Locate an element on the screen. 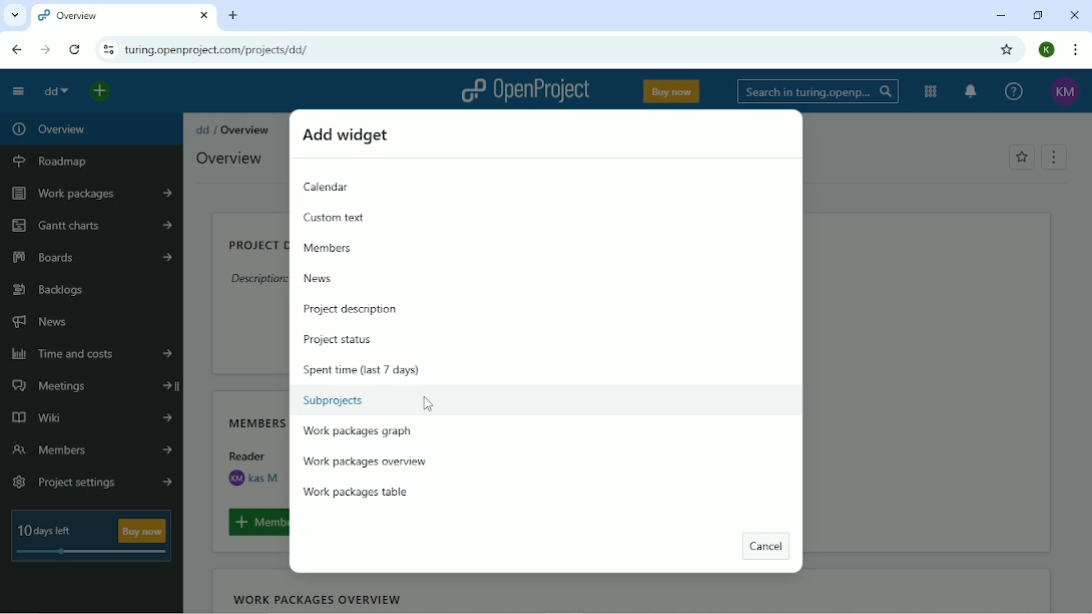 Image resolution: width=1092 pixels, height=614 pixels. Work packages is located at coordinates (89, 194).